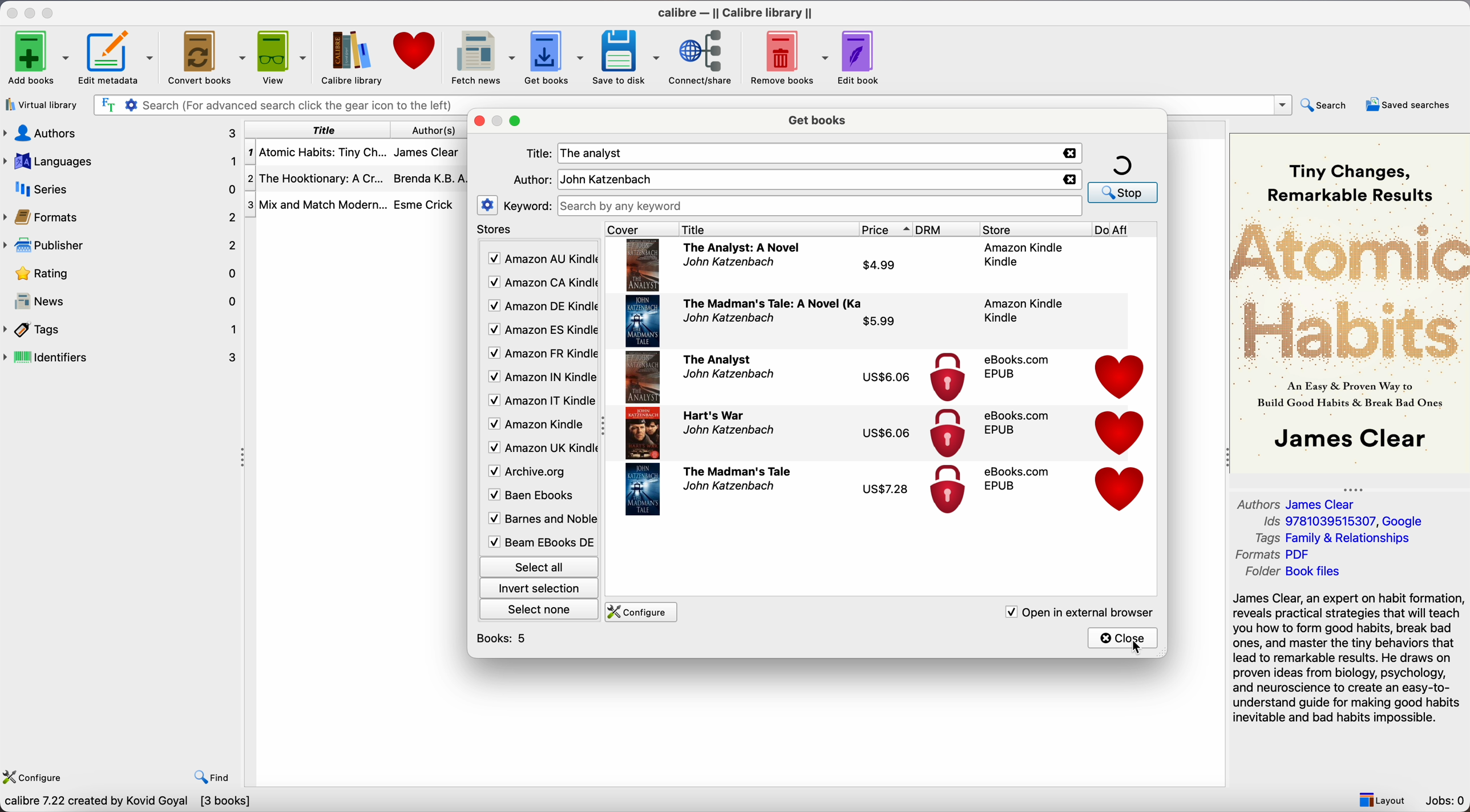 The width and height of the screenshot is (1470, 812). I want to click on Title:, so click(540, 153).